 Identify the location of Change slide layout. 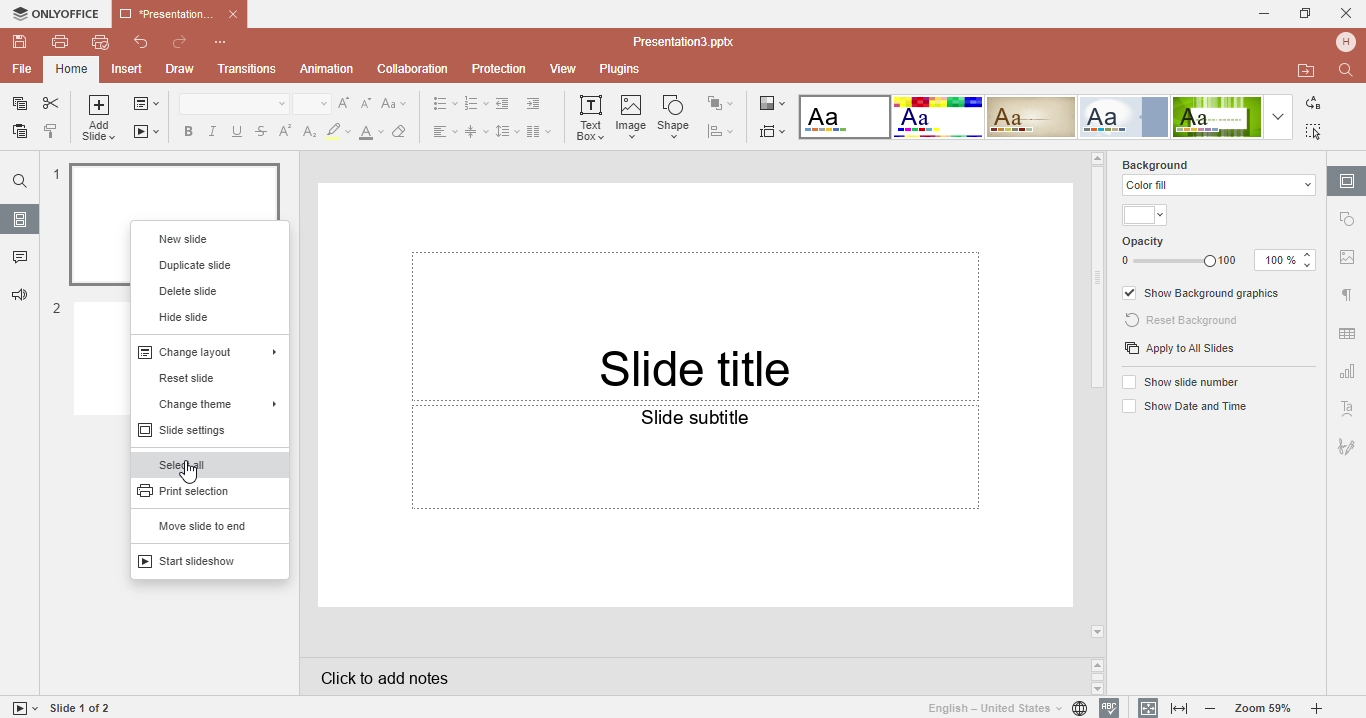
(146, 106).